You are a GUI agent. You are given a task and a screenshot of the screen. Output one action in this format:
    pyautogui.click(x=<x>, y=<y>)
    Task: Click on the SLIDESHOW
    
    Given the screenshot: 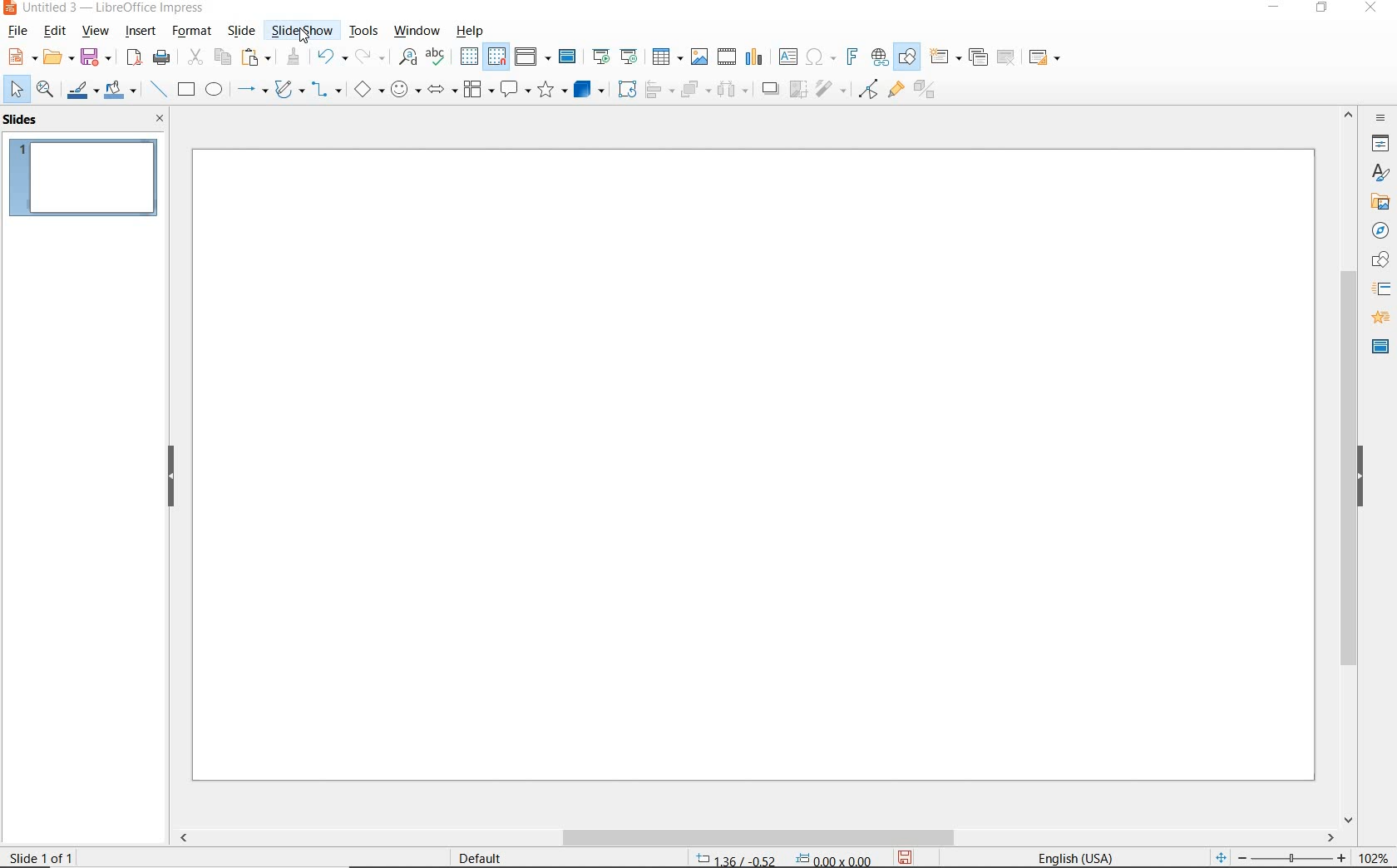 What is the action you would take?
    pyautogui.click(x=303, y=31)
    